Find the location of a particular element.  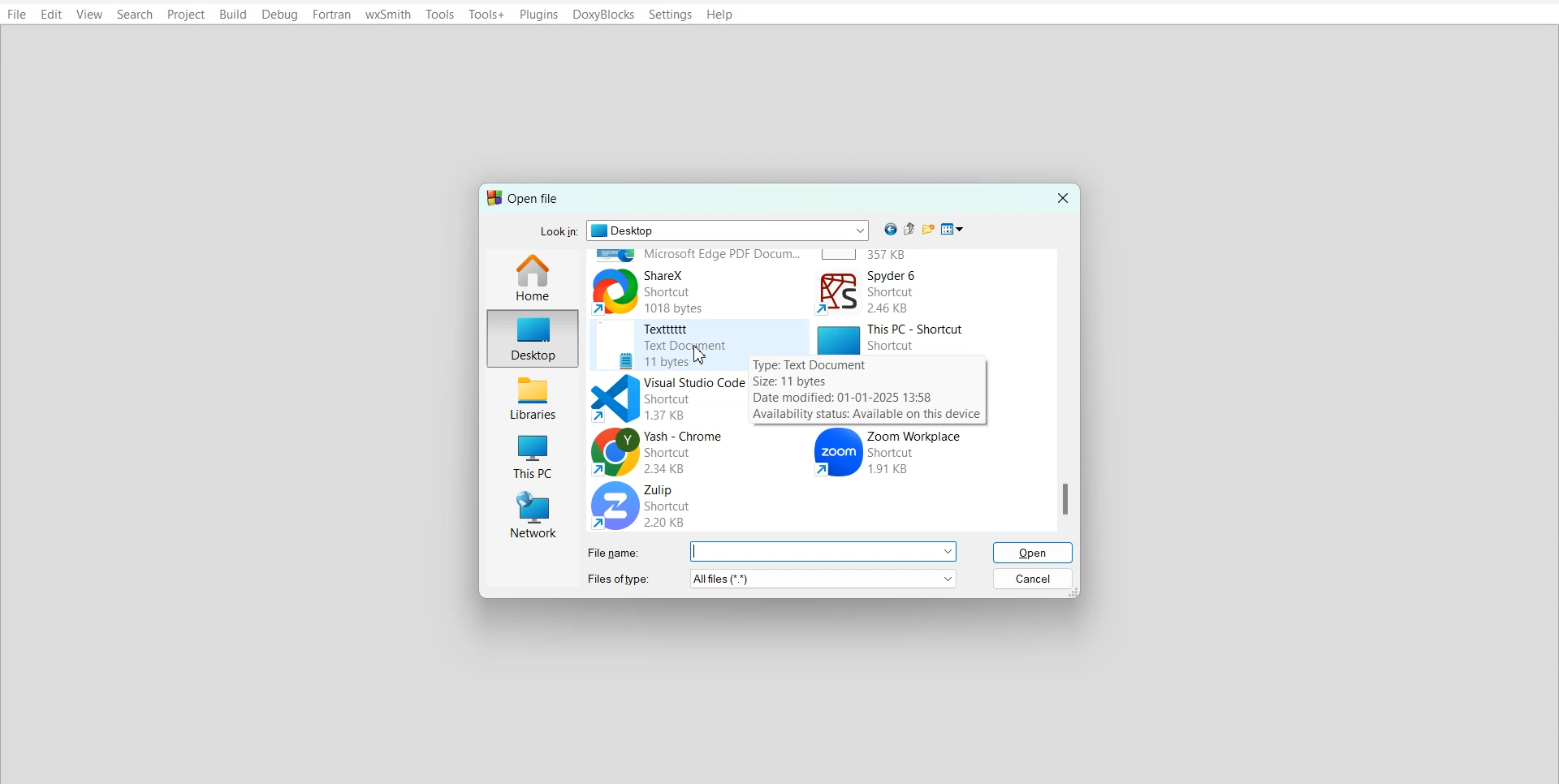

Tools is located at coordinates (440, 14).